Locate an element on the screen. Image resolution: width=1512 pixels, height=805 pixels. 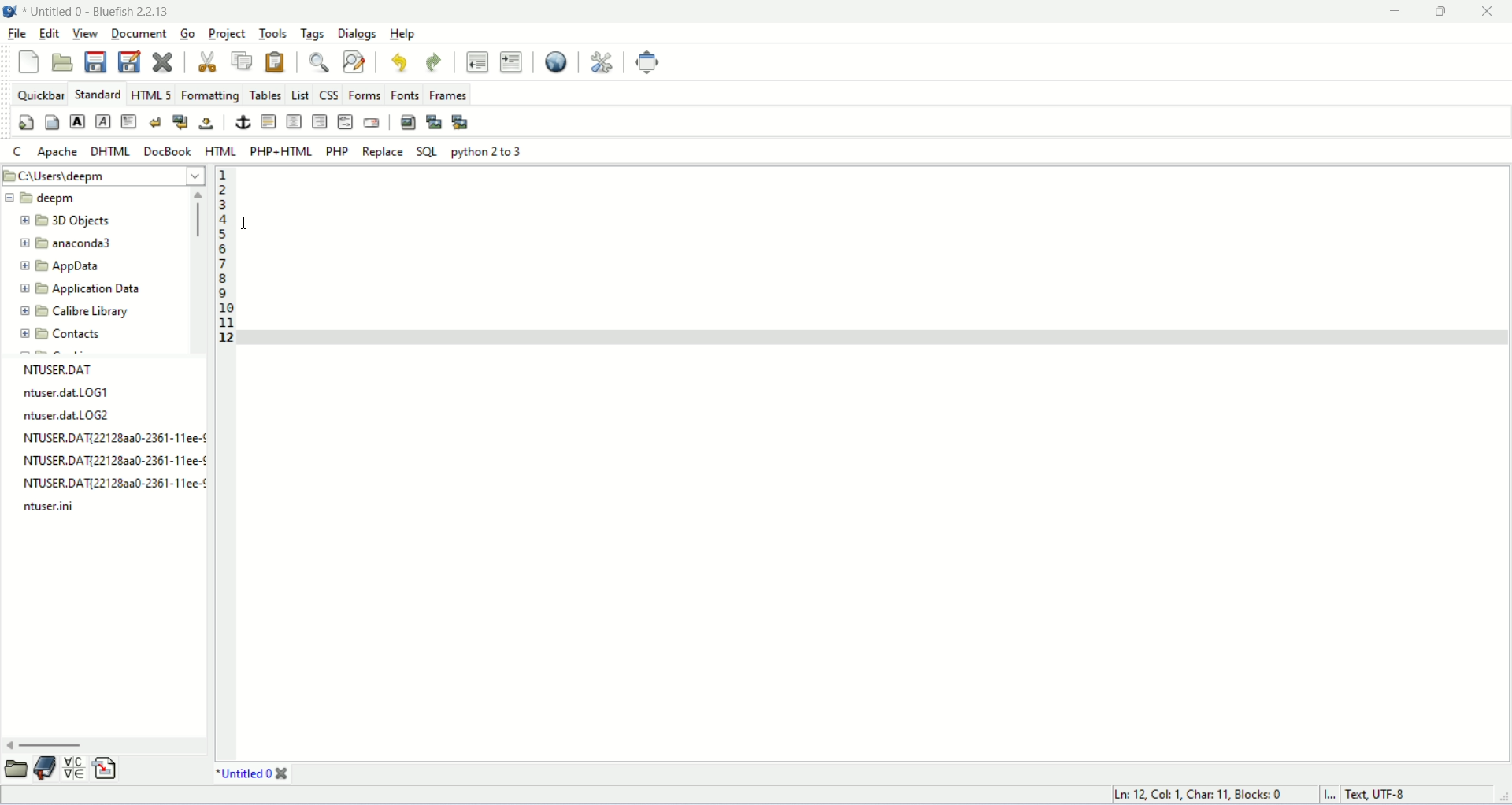
save as is located at coordinates (130, 62).